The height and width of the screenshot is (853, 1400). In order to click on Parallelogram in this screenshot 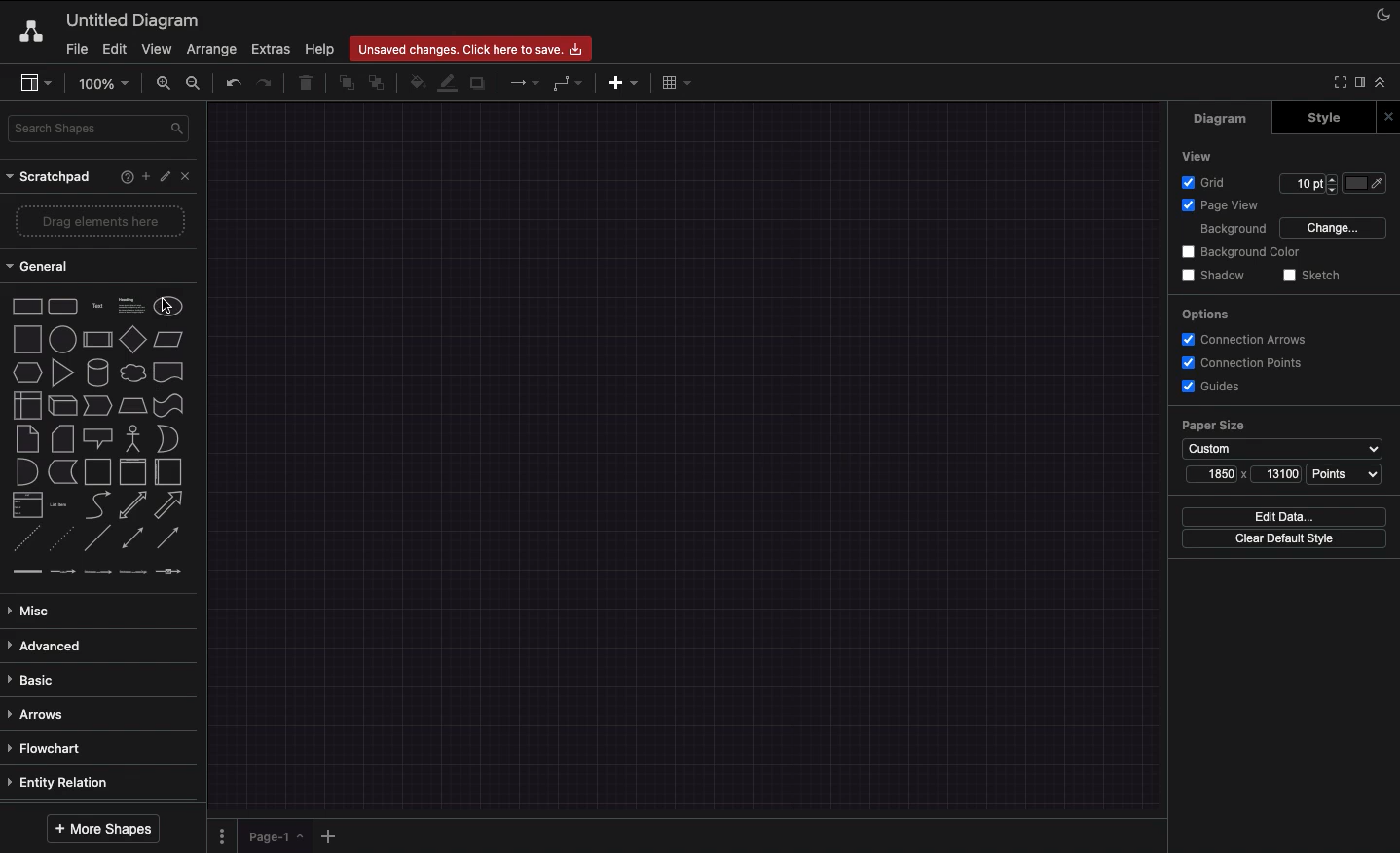, I will do `click(169, 340)`.